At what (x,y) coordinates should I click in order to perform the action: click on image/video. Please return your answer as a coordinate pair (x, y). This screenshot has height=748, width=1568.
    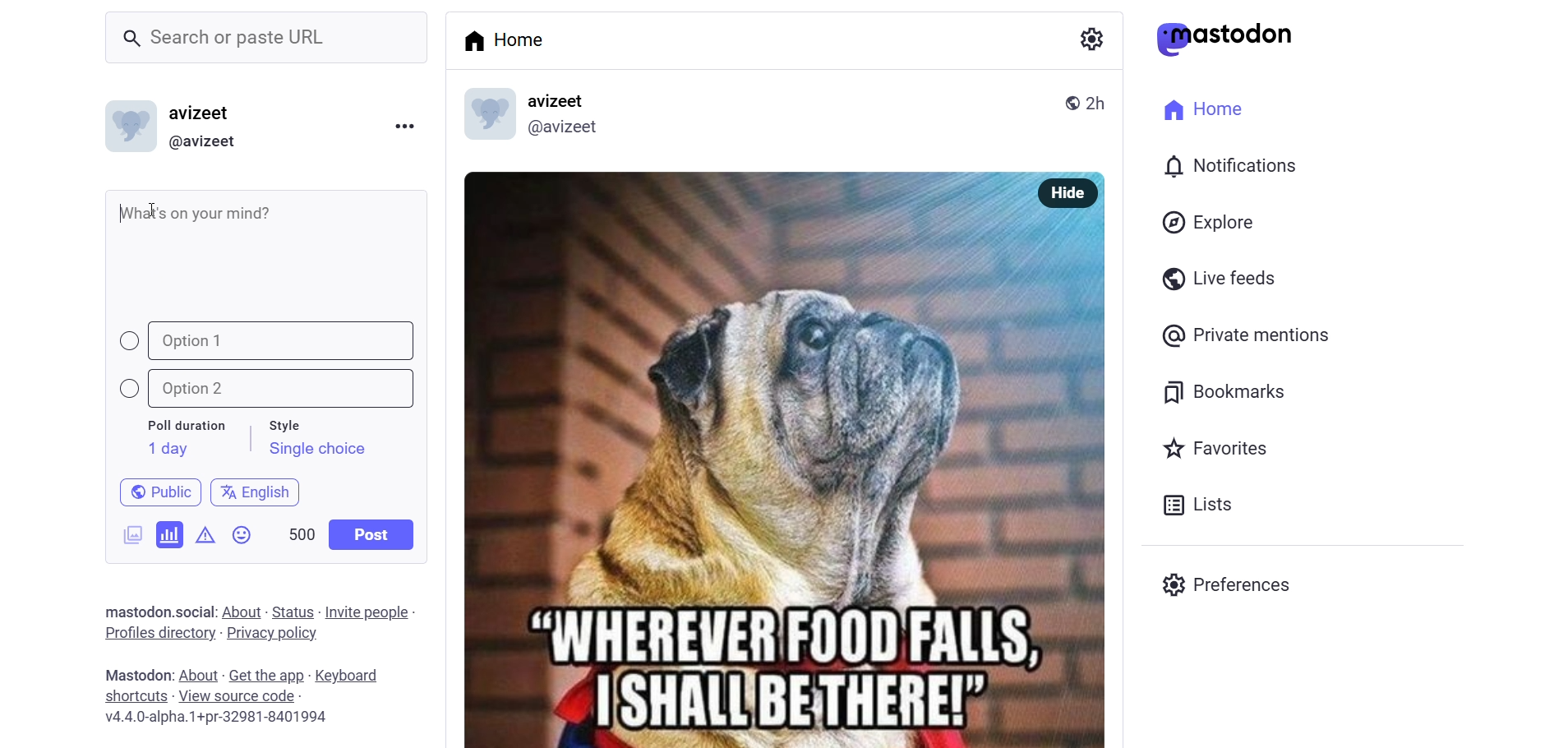
    Looking at the image, I should click on (127, 532).